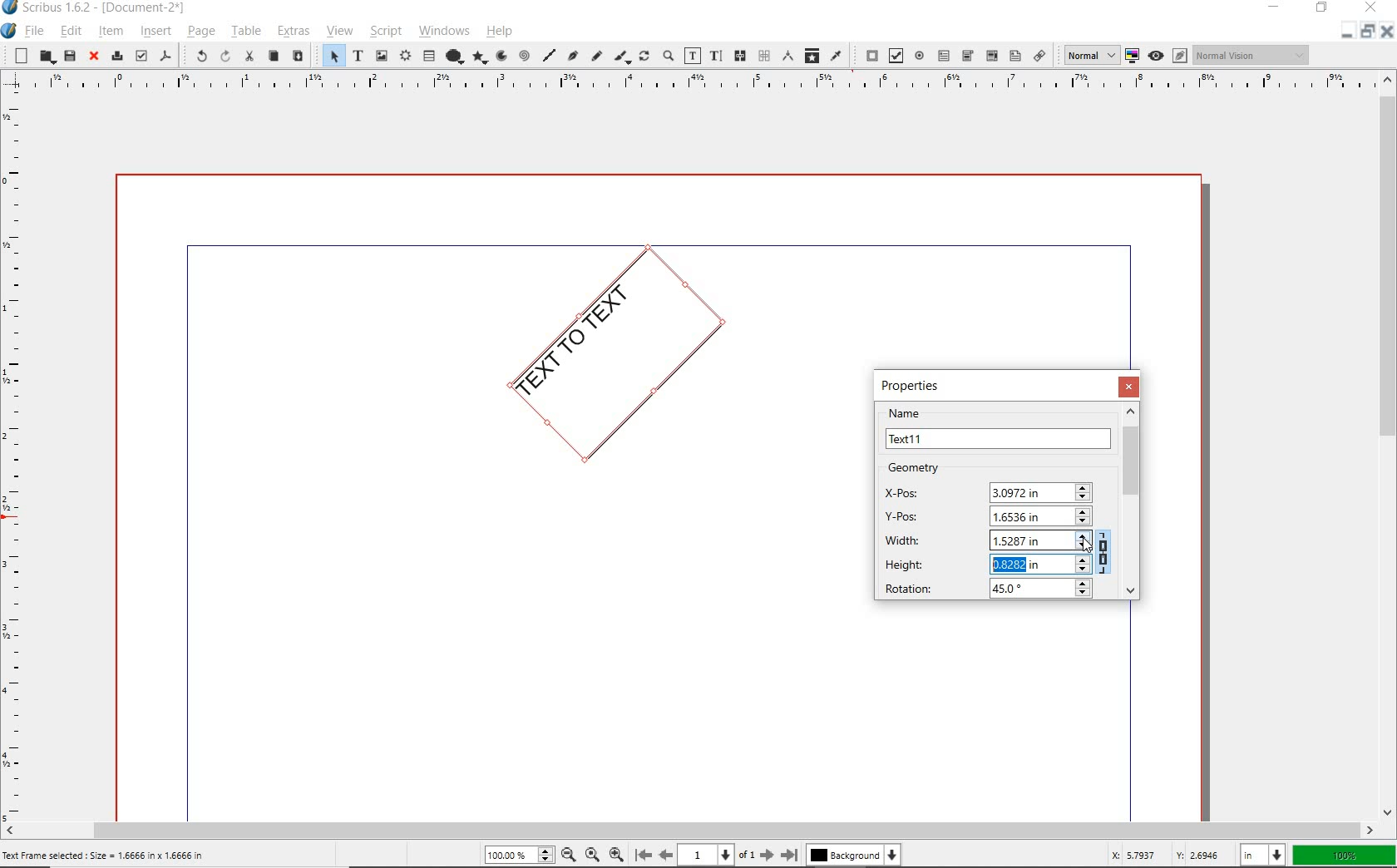 This screenshot has width=1397, height=868. I want to click on system name, so click(106, 11).